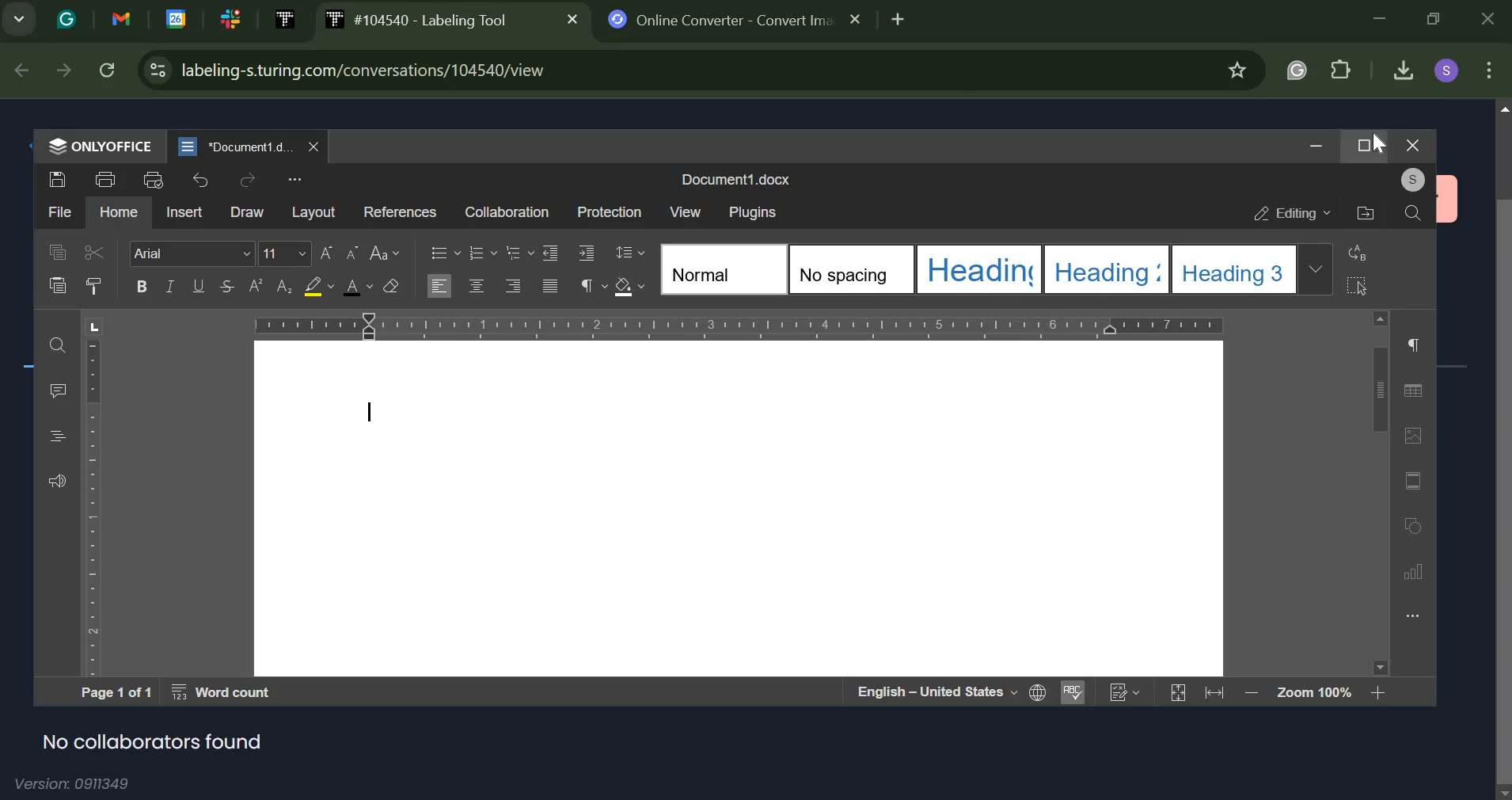  Describe the element at coordinates (1379, 145) in the screenshot. I see `cursor` at that location.